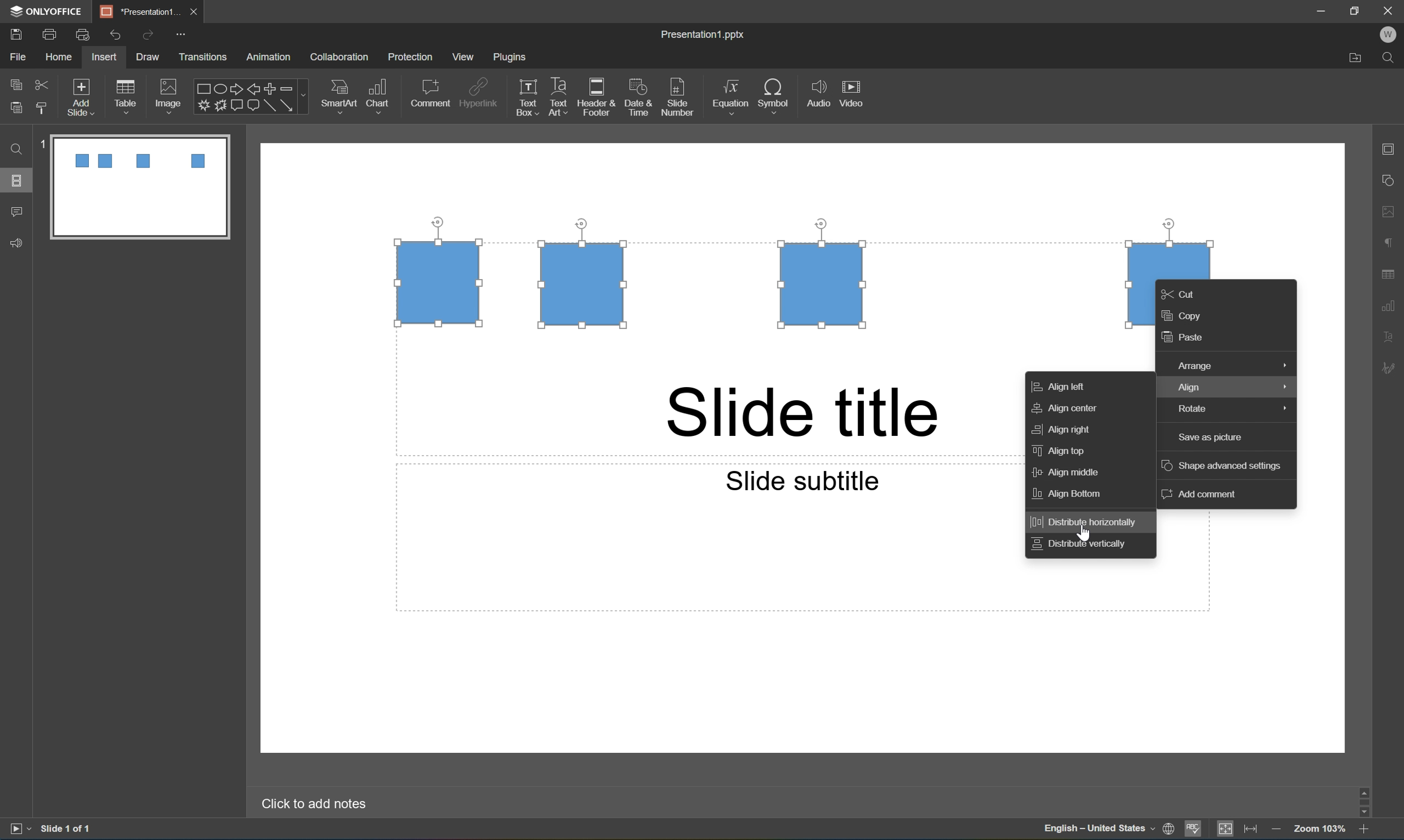 This screenshot has width=1404, height=840. I want to click on header & footer, so click(598, 98).